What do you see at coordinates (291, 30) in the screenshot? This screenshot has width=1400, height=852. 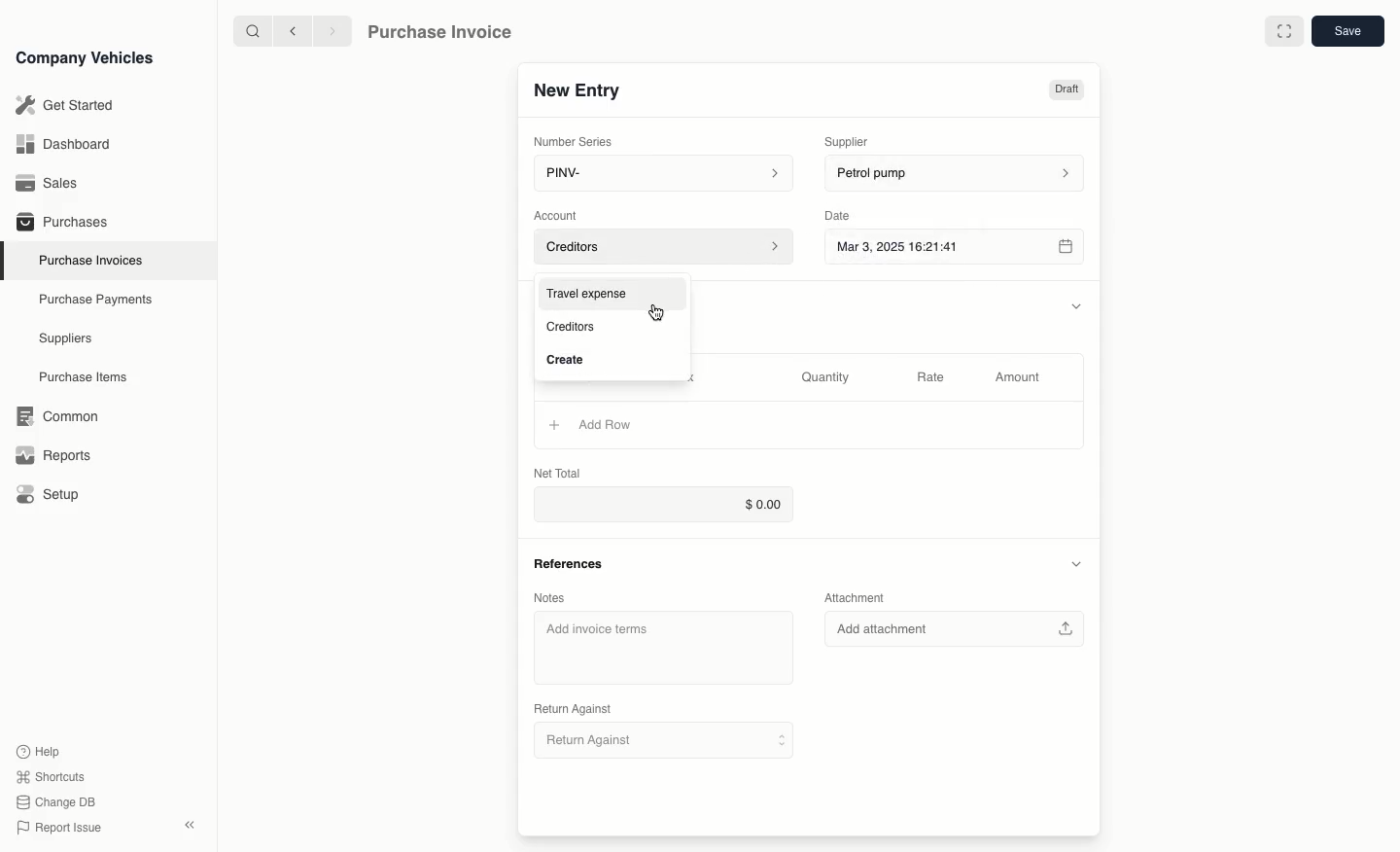 I see `previous` at bounding box center [291, 30].